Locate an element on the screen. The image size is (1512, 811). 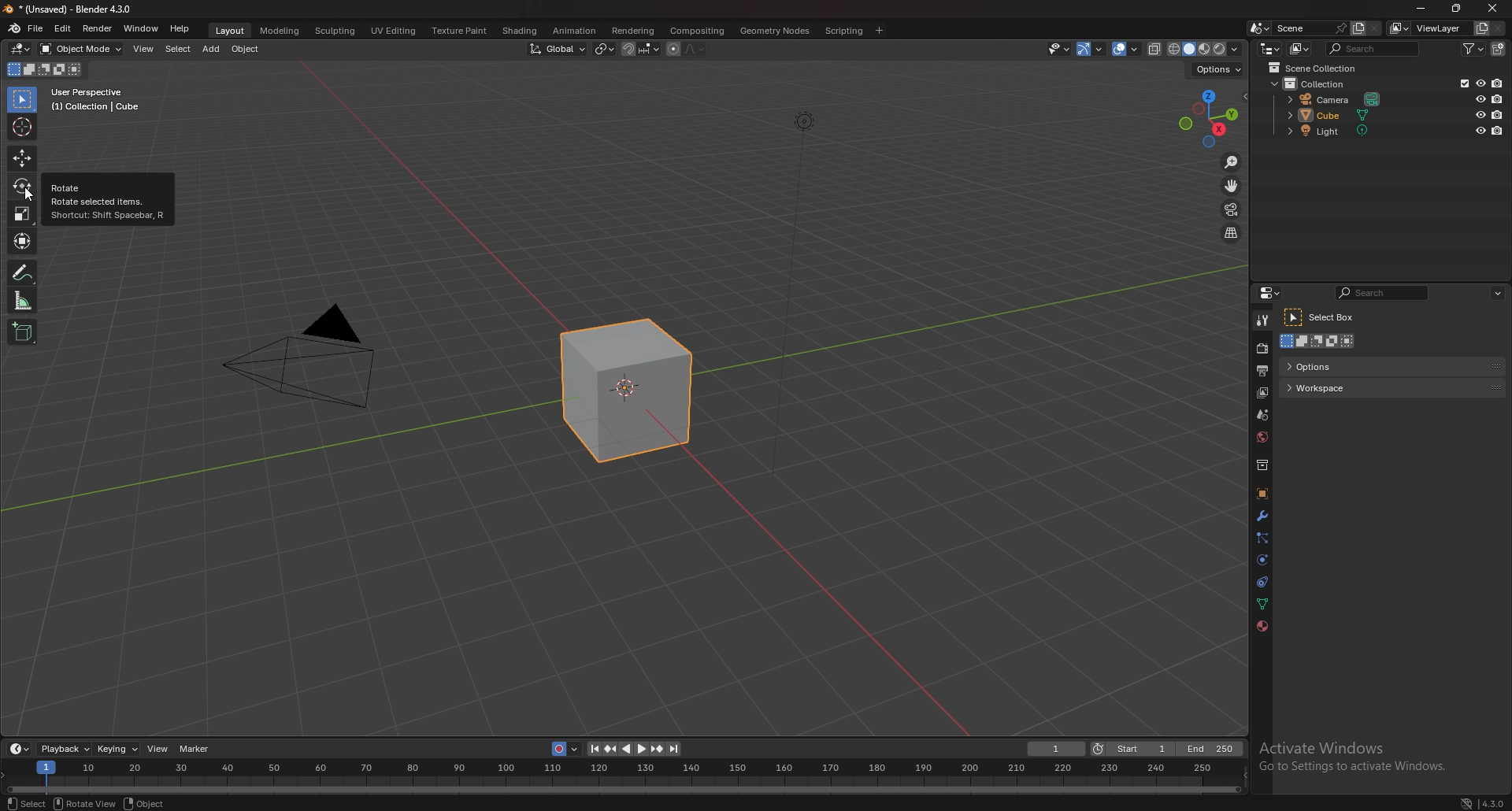
cube is located at coordinates (1339, 114).